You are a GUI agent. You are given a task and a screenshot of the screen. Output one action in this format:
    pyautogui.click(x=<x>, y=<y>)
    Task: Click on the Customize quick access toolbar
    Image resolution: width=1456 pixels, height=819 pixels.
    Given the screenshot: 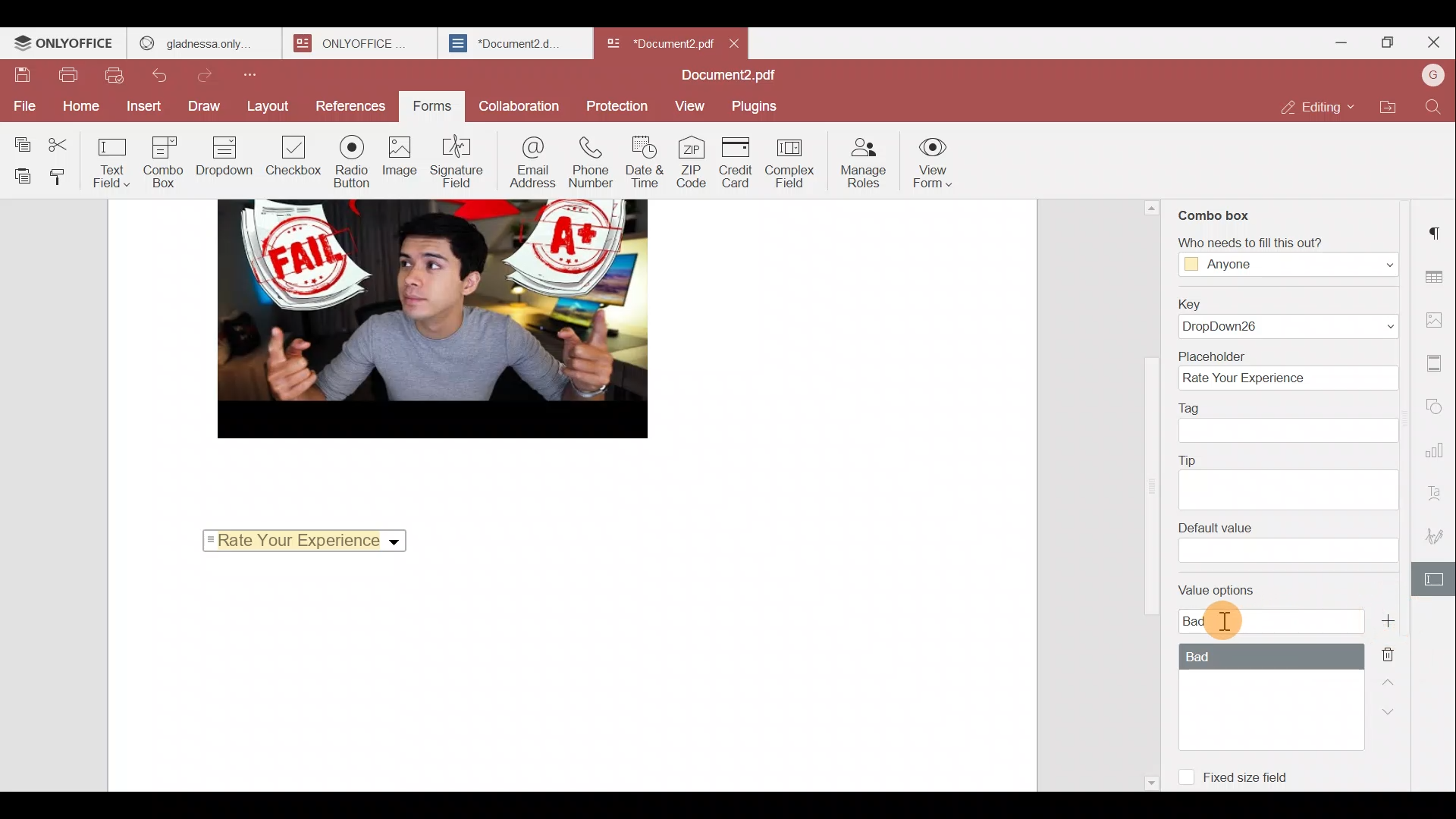 What is the action you would take?
    pyautogui.click(x=255, y=77)
    